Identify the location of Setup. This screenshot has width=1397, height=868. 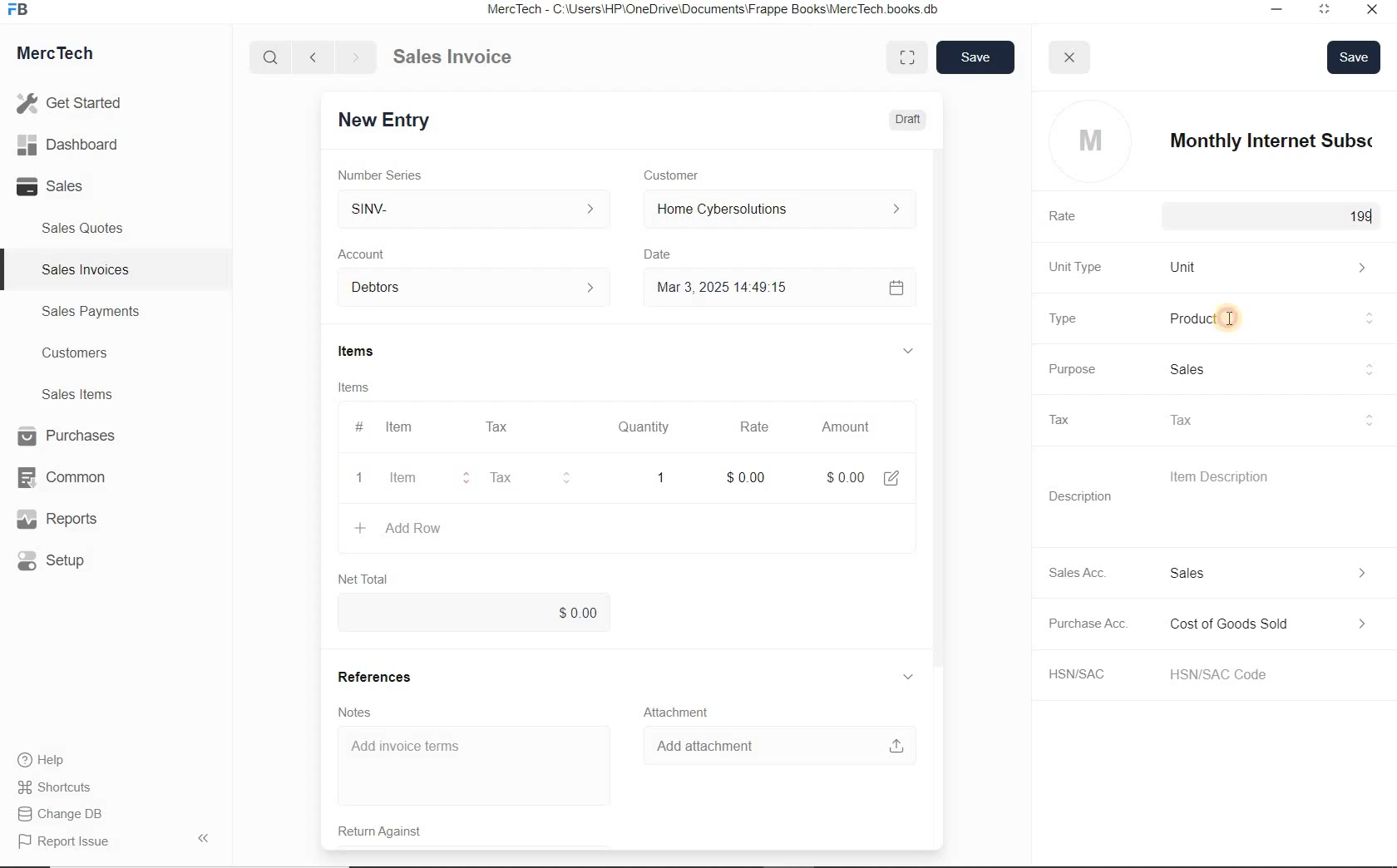
(70, 560).